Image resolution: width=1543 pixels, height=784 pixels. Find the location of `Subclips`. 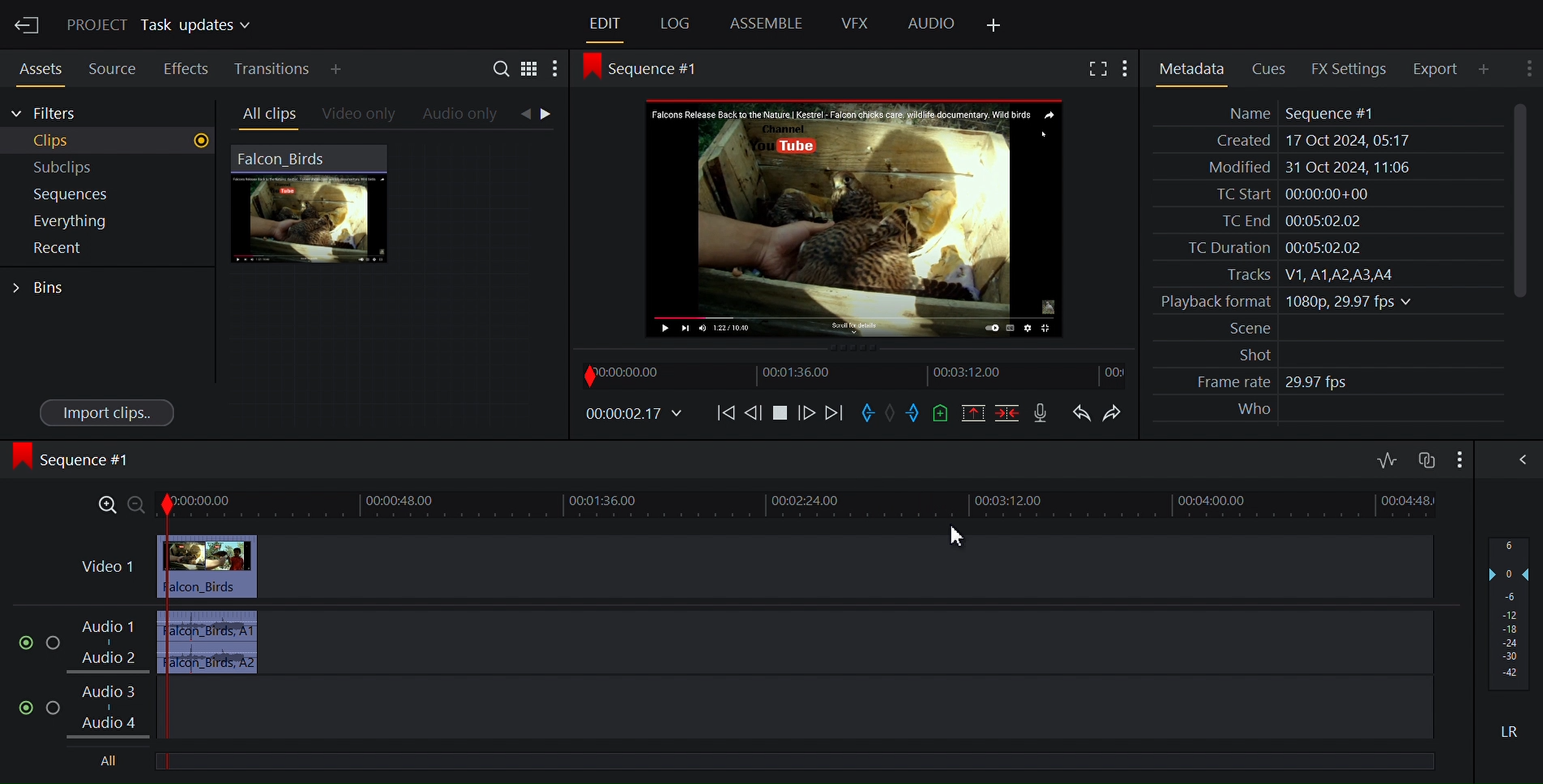

Subclips is located at coordinates (104, 166).